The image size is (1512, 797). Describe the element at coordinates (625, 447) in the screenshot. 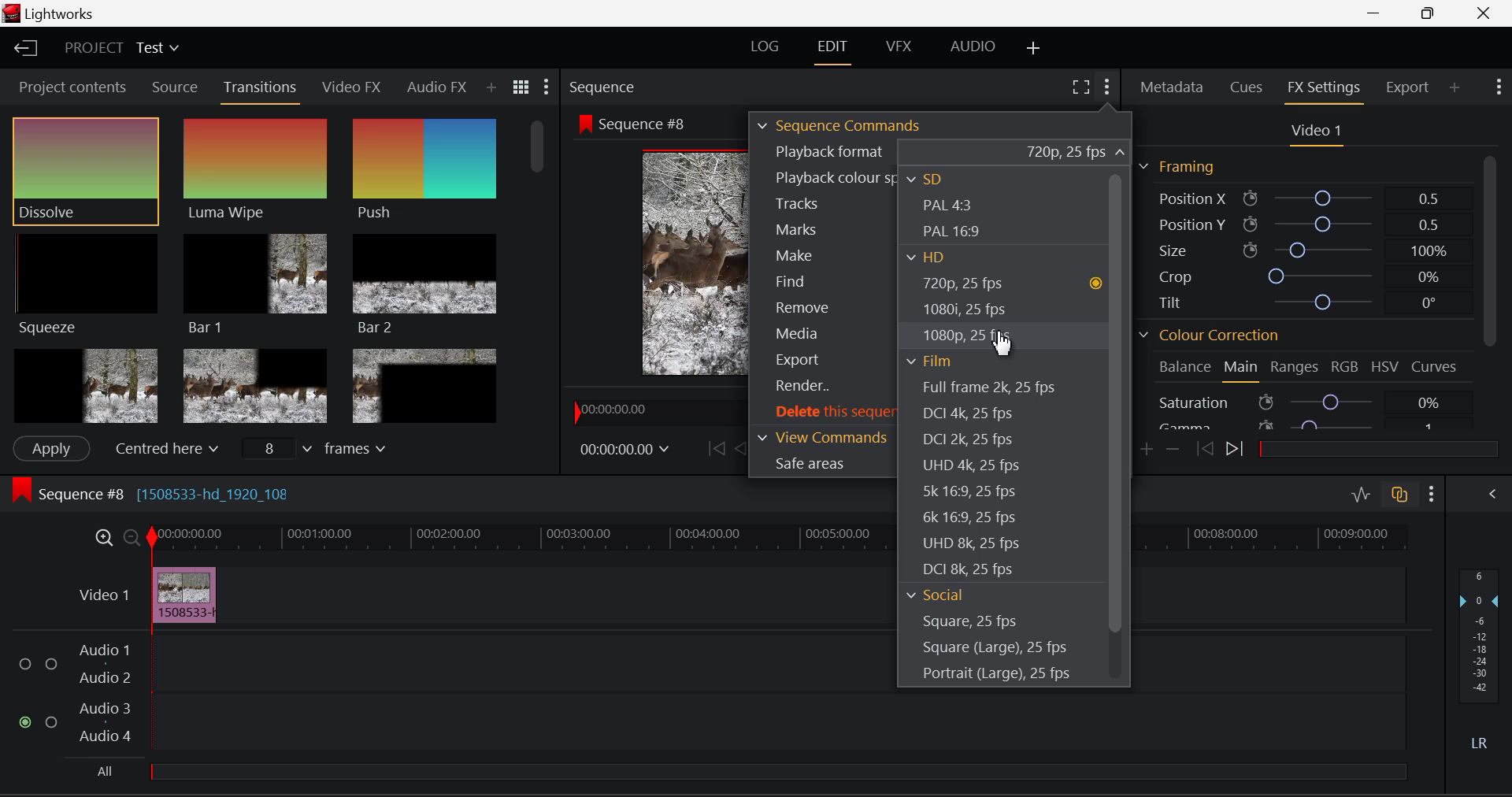

I see `Frame Time` at that location.